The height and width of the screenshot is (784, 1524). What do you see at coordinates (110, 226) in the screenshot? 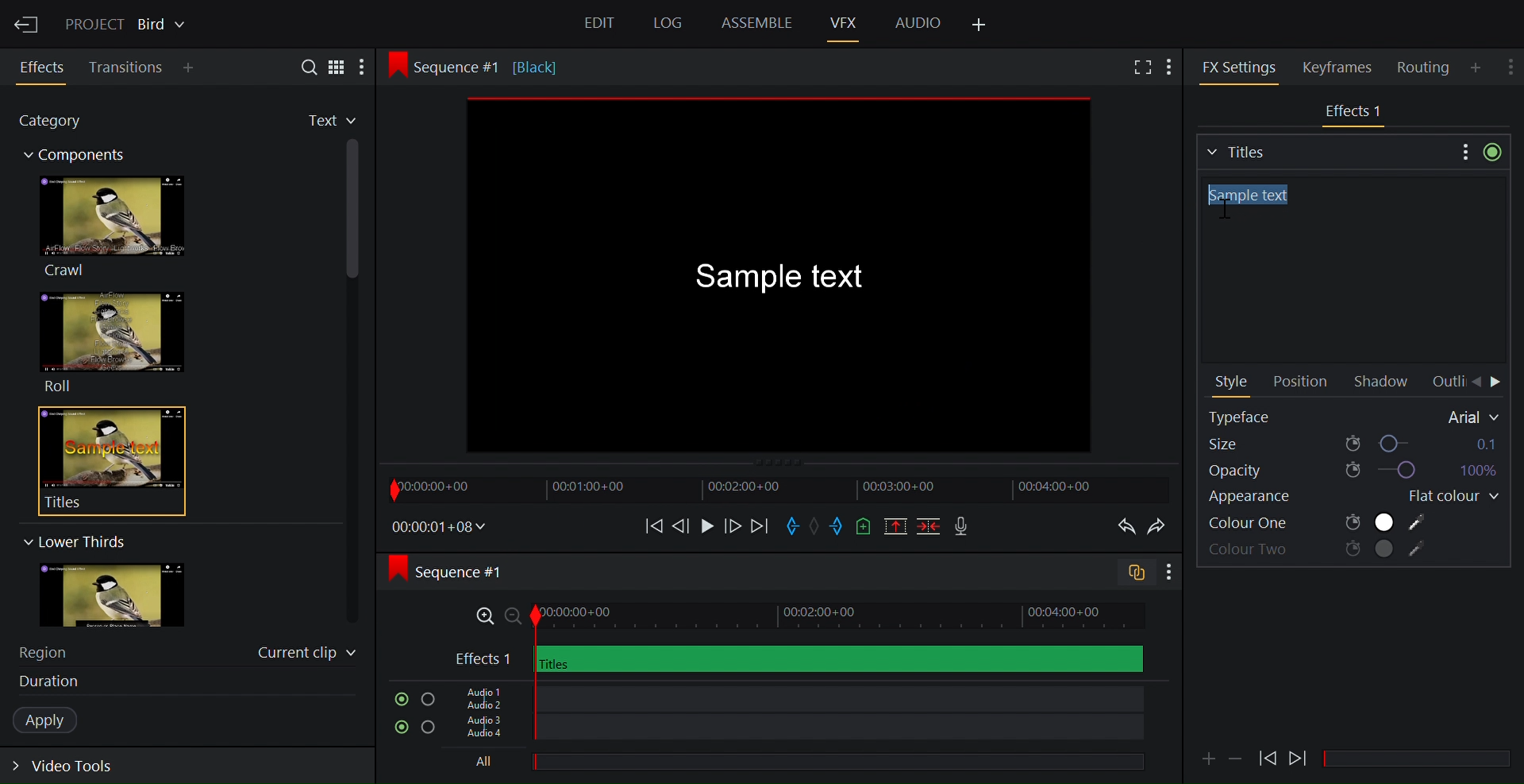
I see `Crawl` at bounding box center [110, 226].